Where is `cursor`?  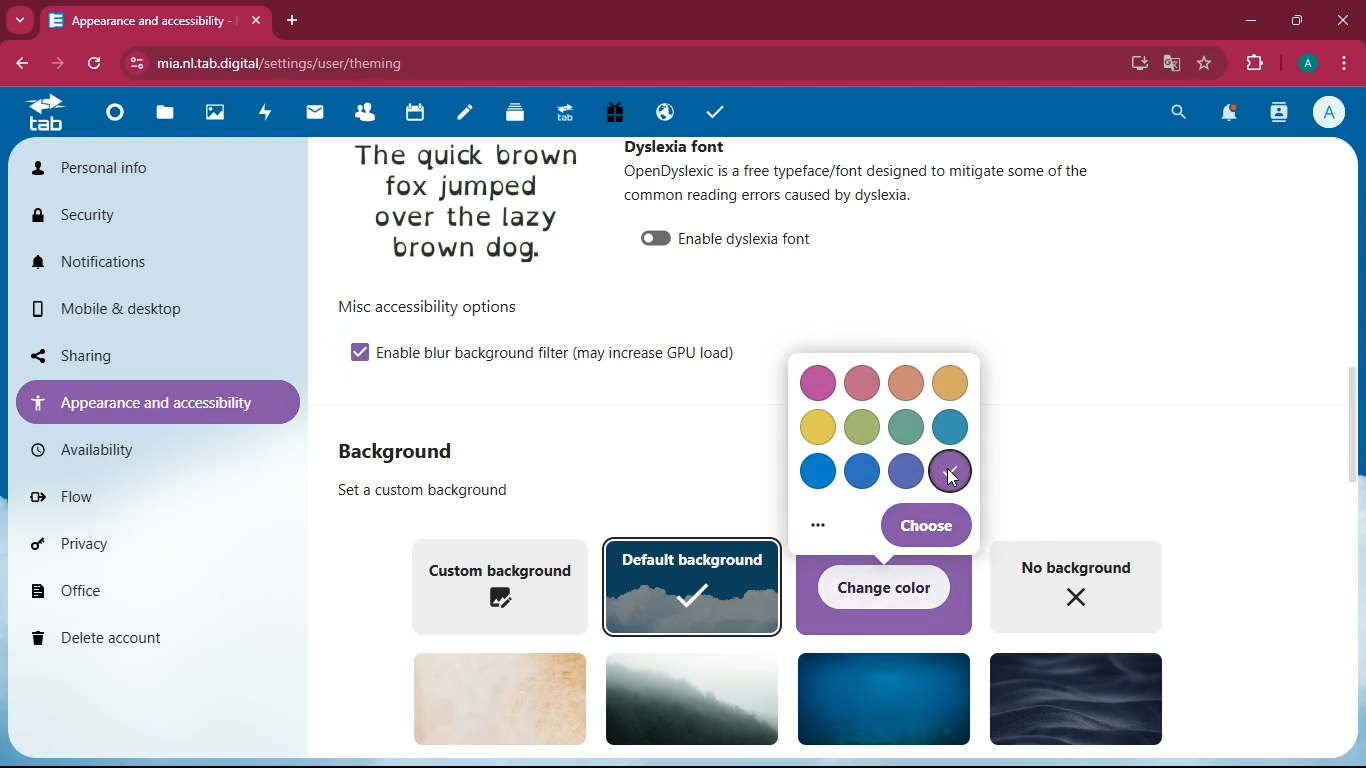 cursor is located at coordinates (949, 479).